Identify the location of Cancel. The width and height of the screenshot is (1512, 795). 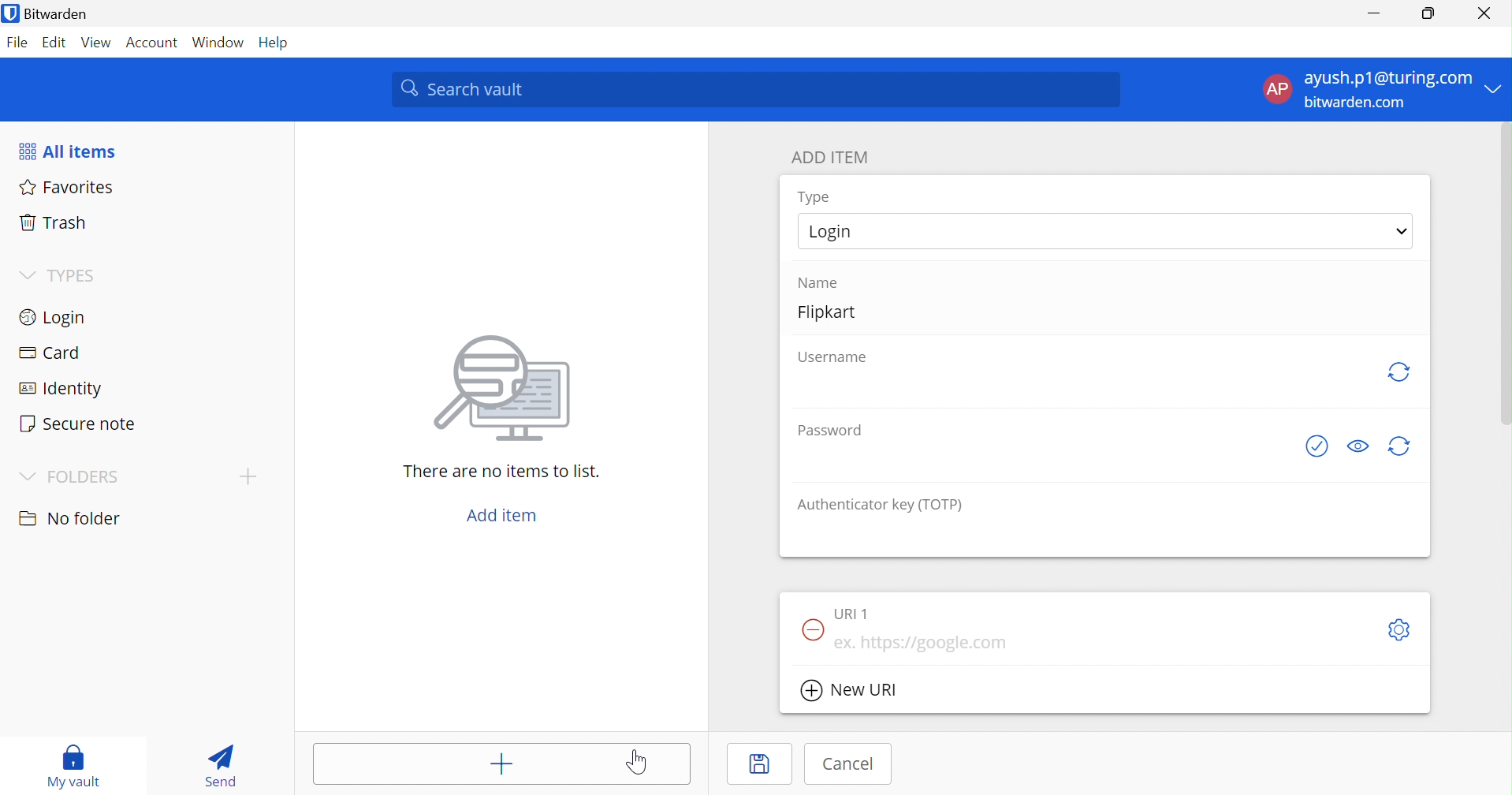
(849, 763).